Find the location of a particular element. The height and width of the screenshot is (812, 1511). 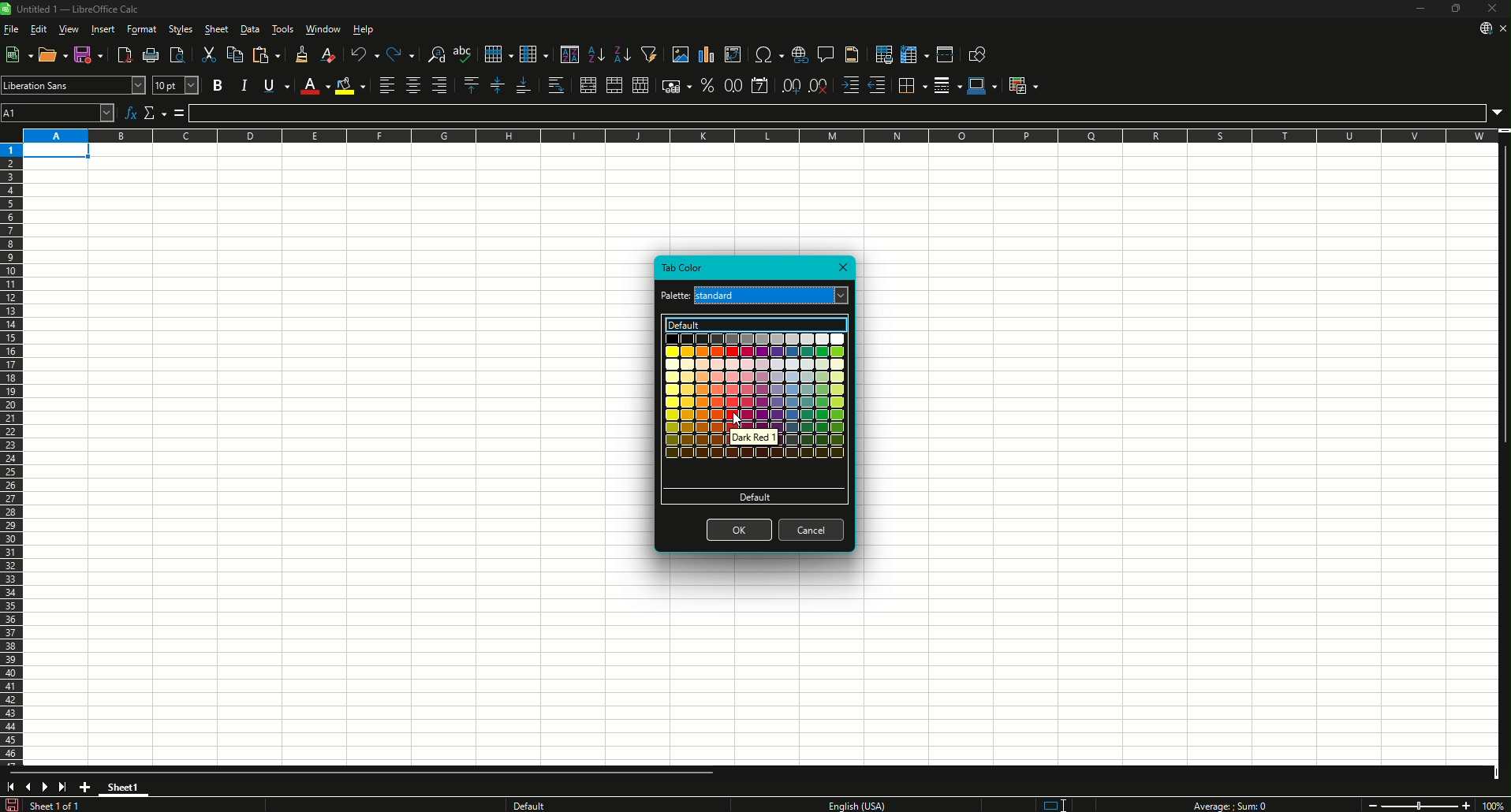

Close is located at coordinates (1492, 8).